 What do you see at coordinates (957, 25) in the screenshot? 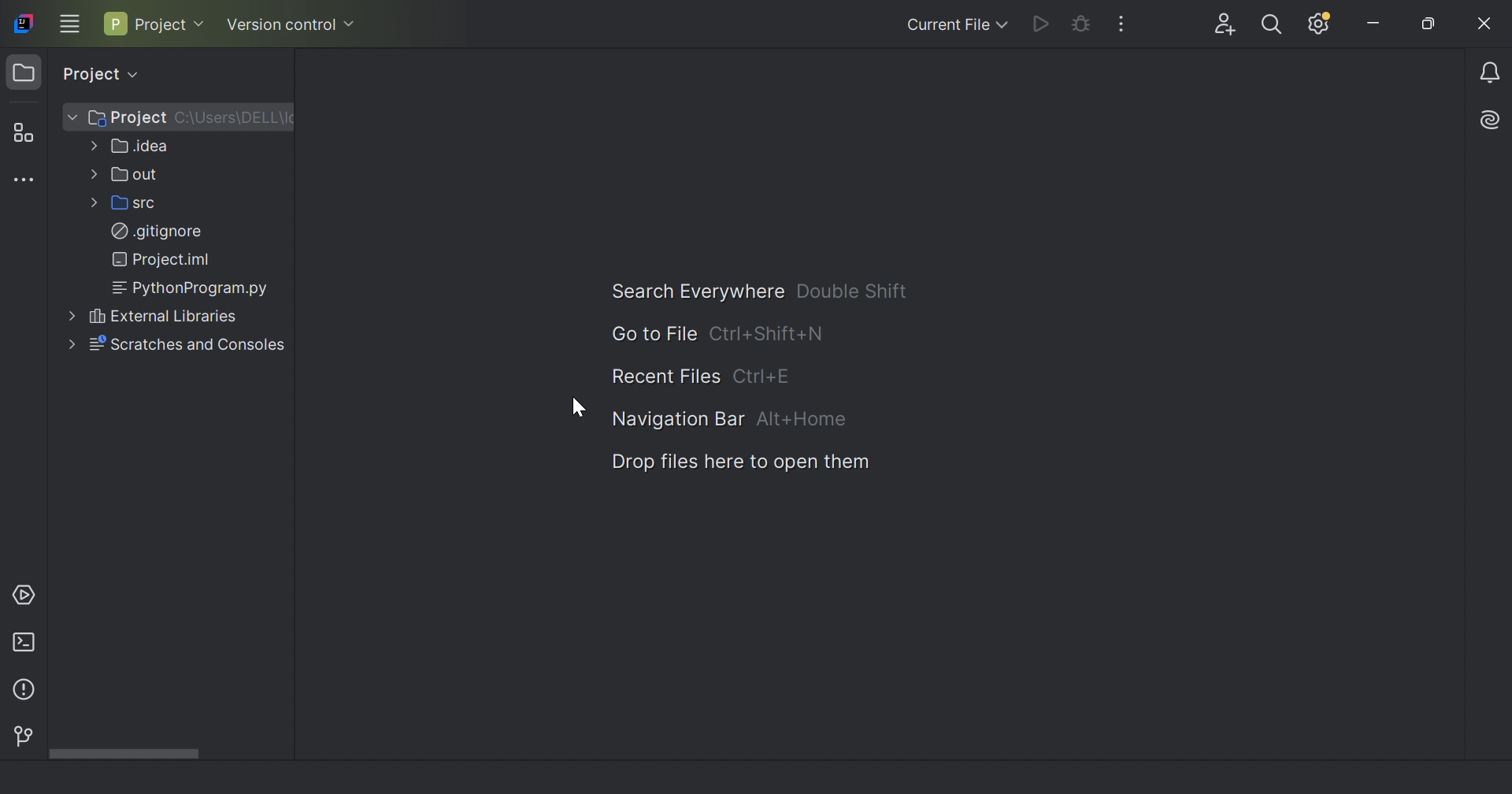
I see `Current file` at bounding box center [957, 25].